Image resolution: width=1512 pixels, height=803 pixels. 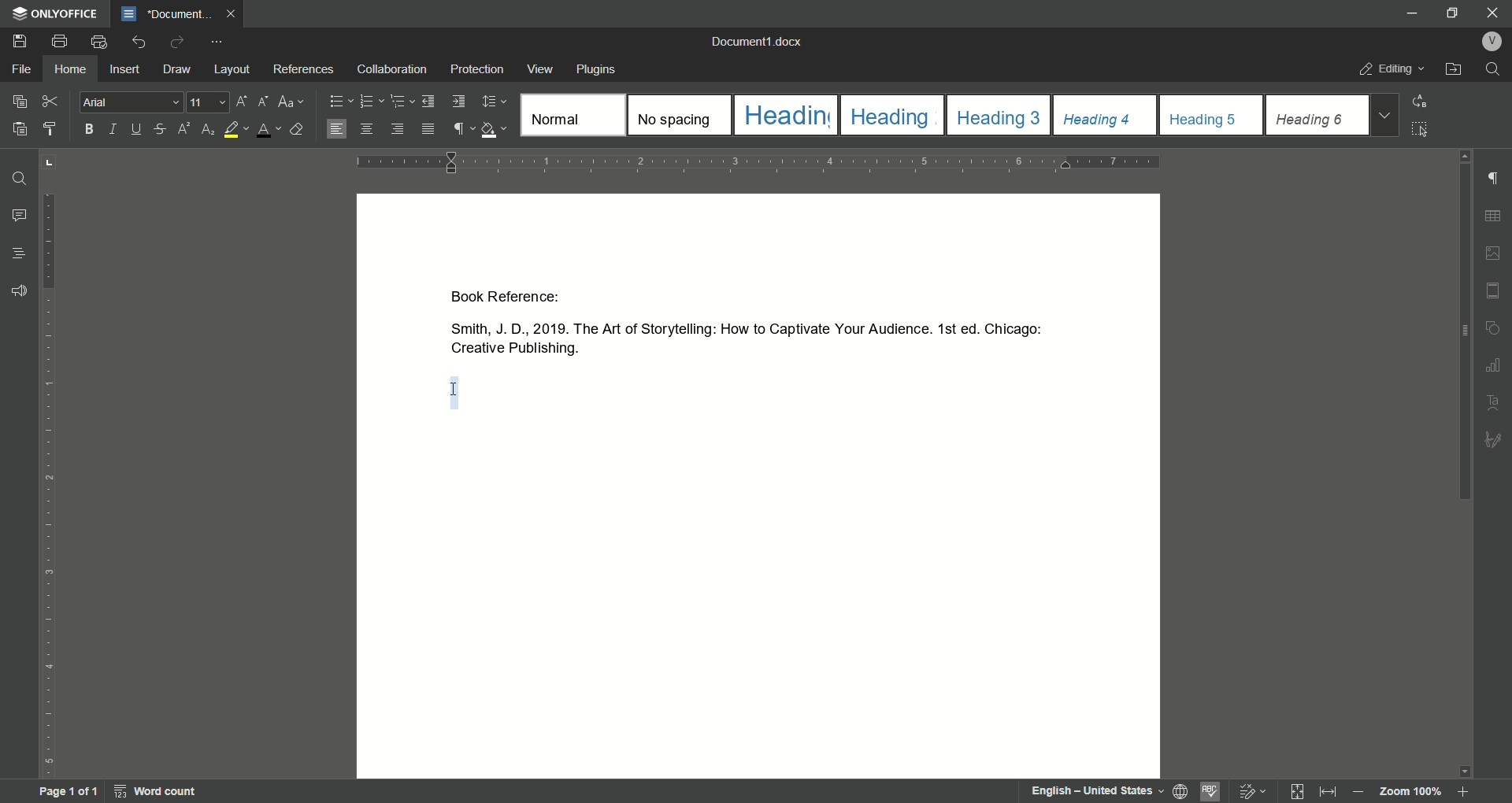 What do you see at coordinates (87, 129) in the screenshot?
I see `bold` at bounding box center [87, 129].